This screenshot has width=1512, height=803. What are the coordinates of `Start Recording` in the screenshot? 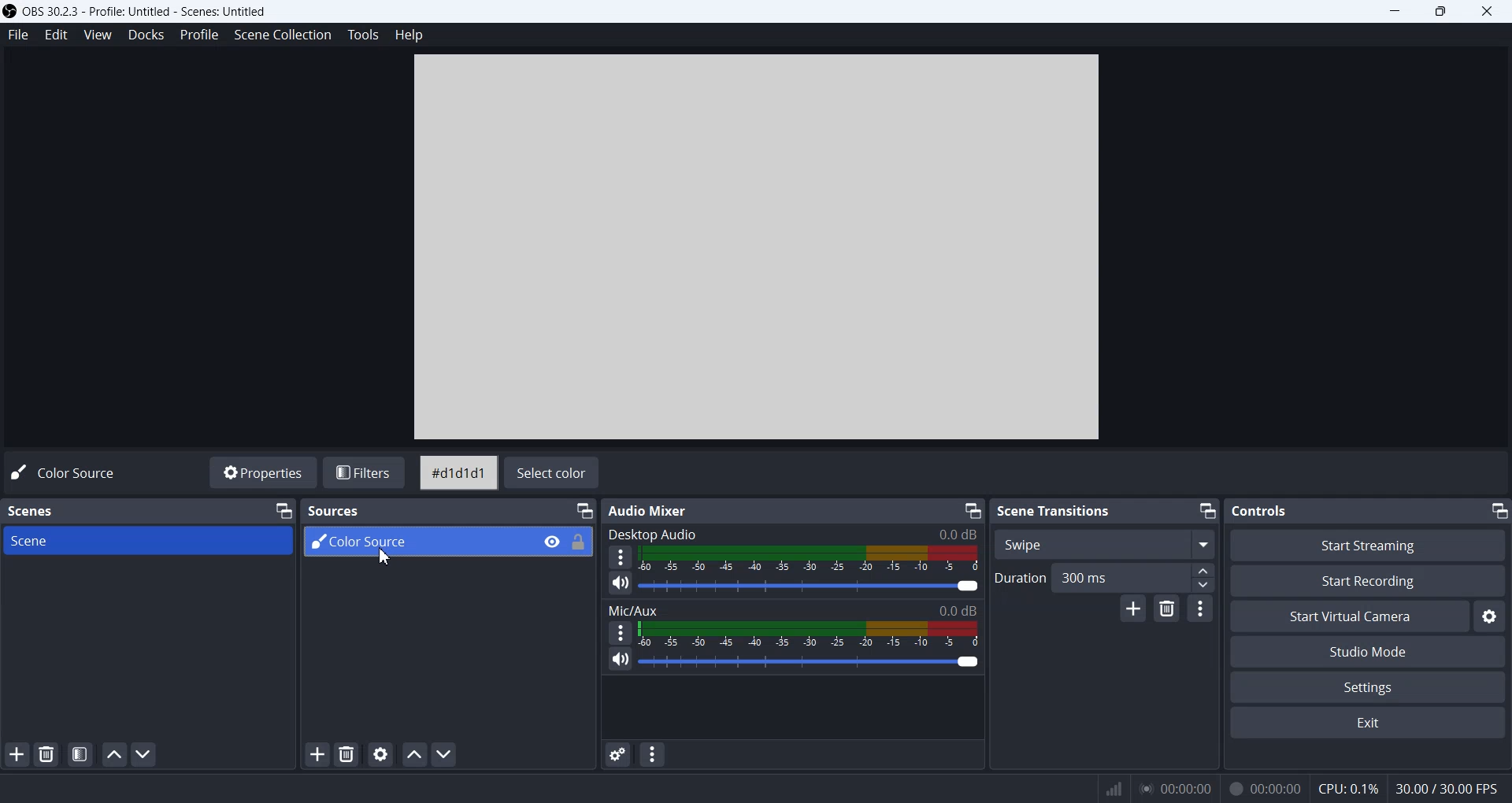 It's located at (1369, 580).